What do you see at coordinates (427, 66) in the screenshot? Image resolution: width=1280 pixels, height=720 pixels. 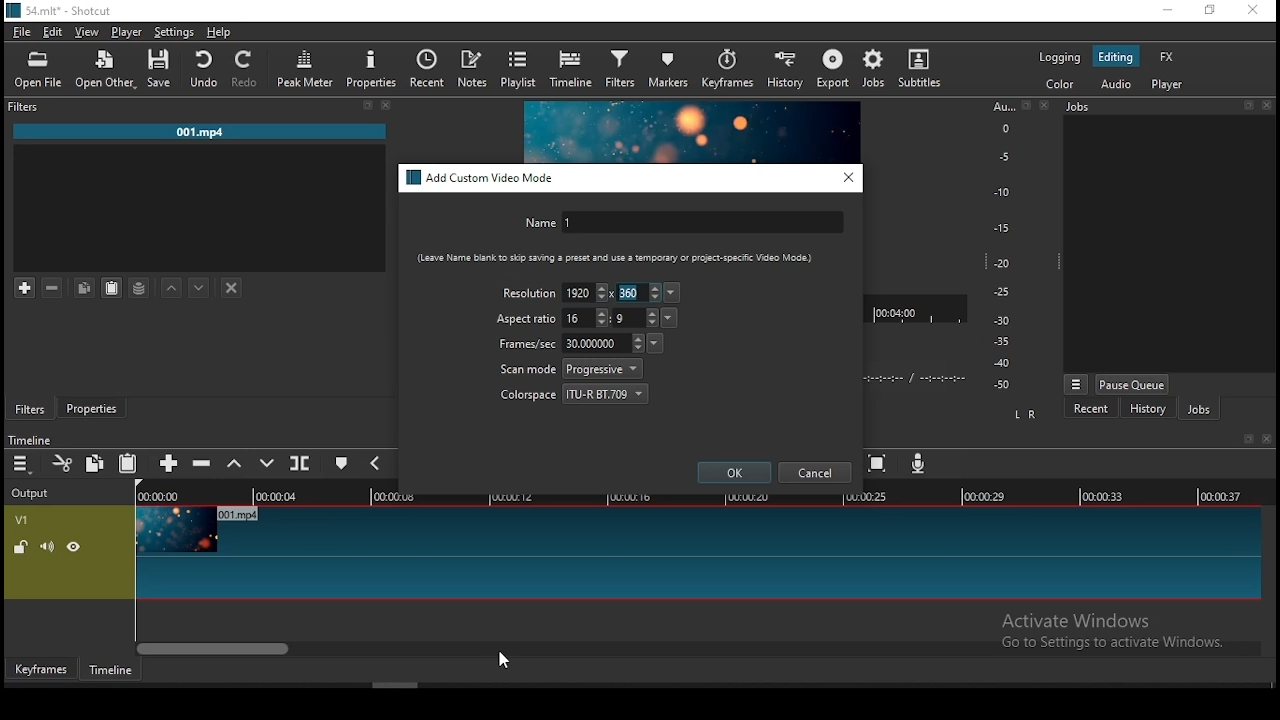 I see `recent` at bounding box center [427, 66].